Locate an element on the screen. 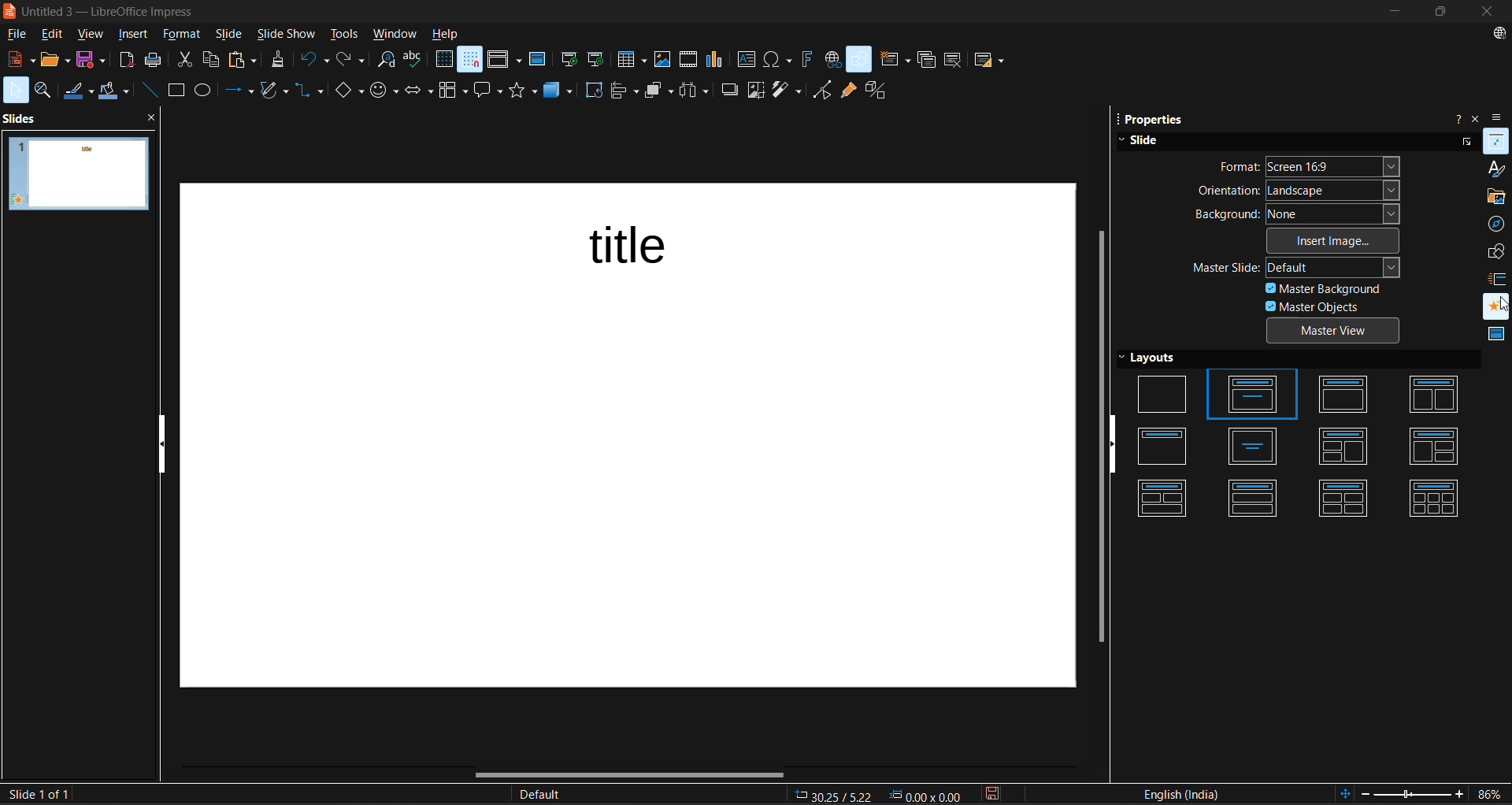 This screenshot has width=1512, height=805. click to save is located at coordinates (995, 793).